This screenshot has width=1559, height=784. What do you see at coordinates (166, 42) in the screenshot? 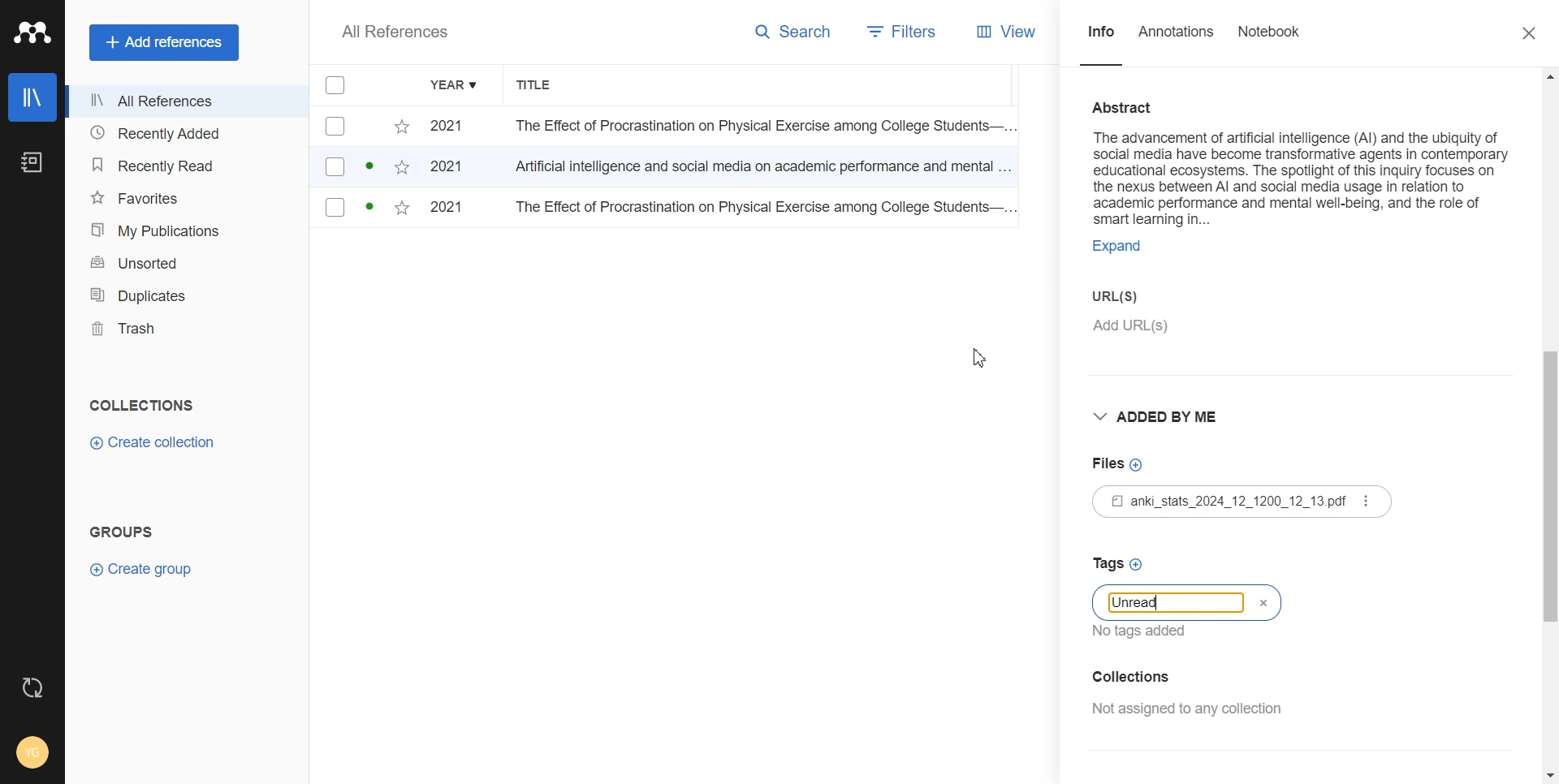
I see `Add references` at bounding box center [166, 42].